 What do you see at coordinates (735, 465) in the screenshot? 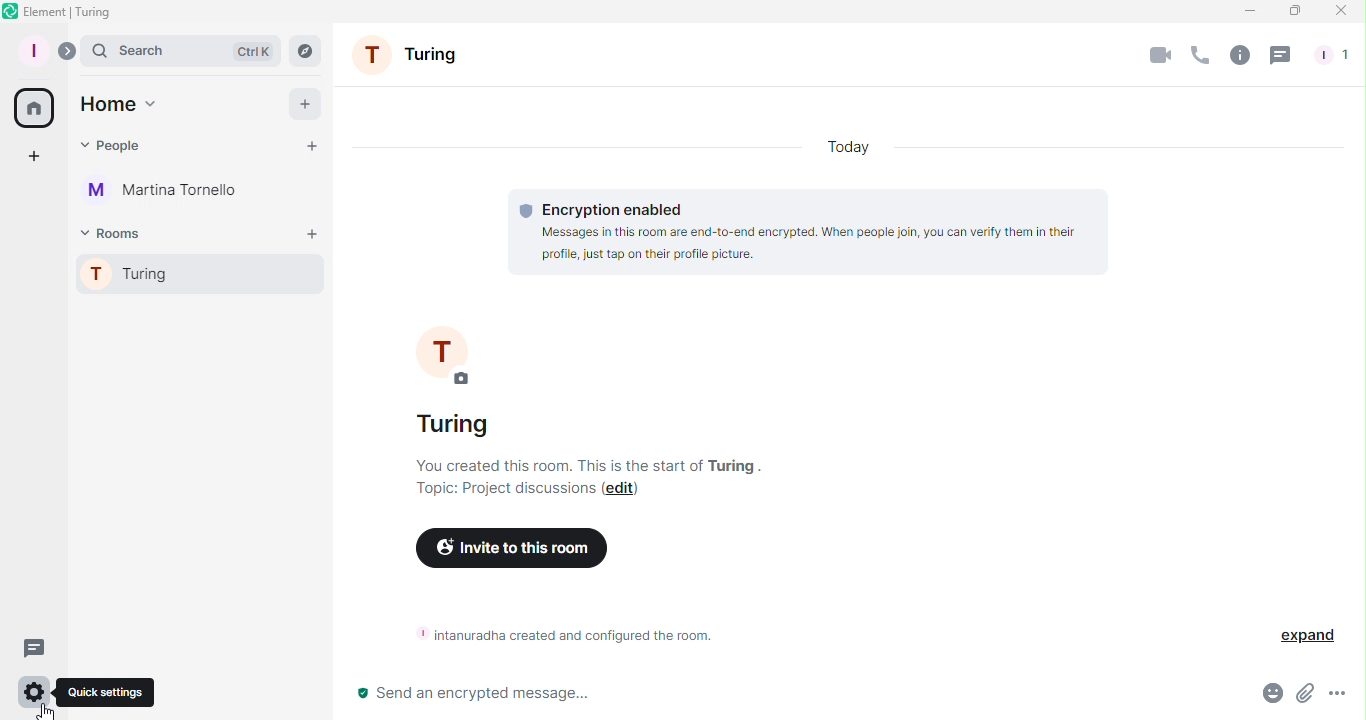
I see `Turing .` at bounding box center [735, 465].